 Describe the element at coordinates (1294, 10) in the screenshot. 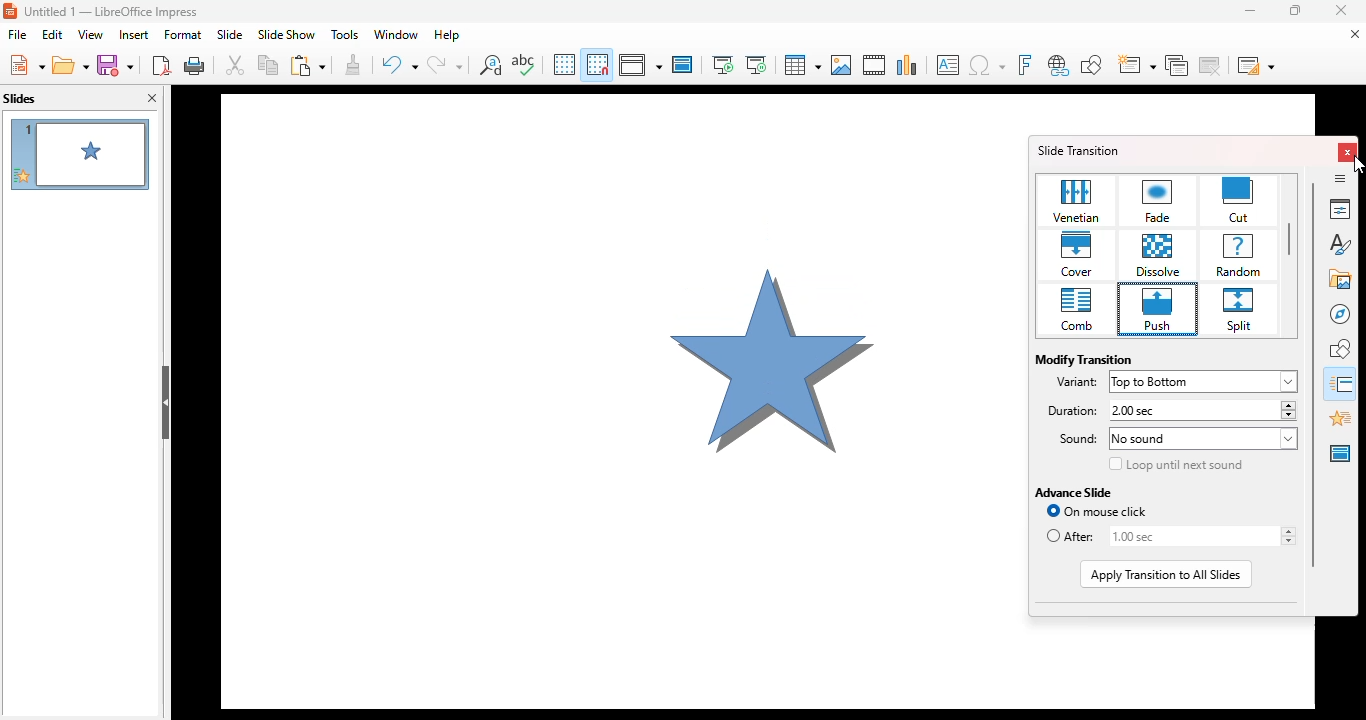

I see `maximize` at that location.